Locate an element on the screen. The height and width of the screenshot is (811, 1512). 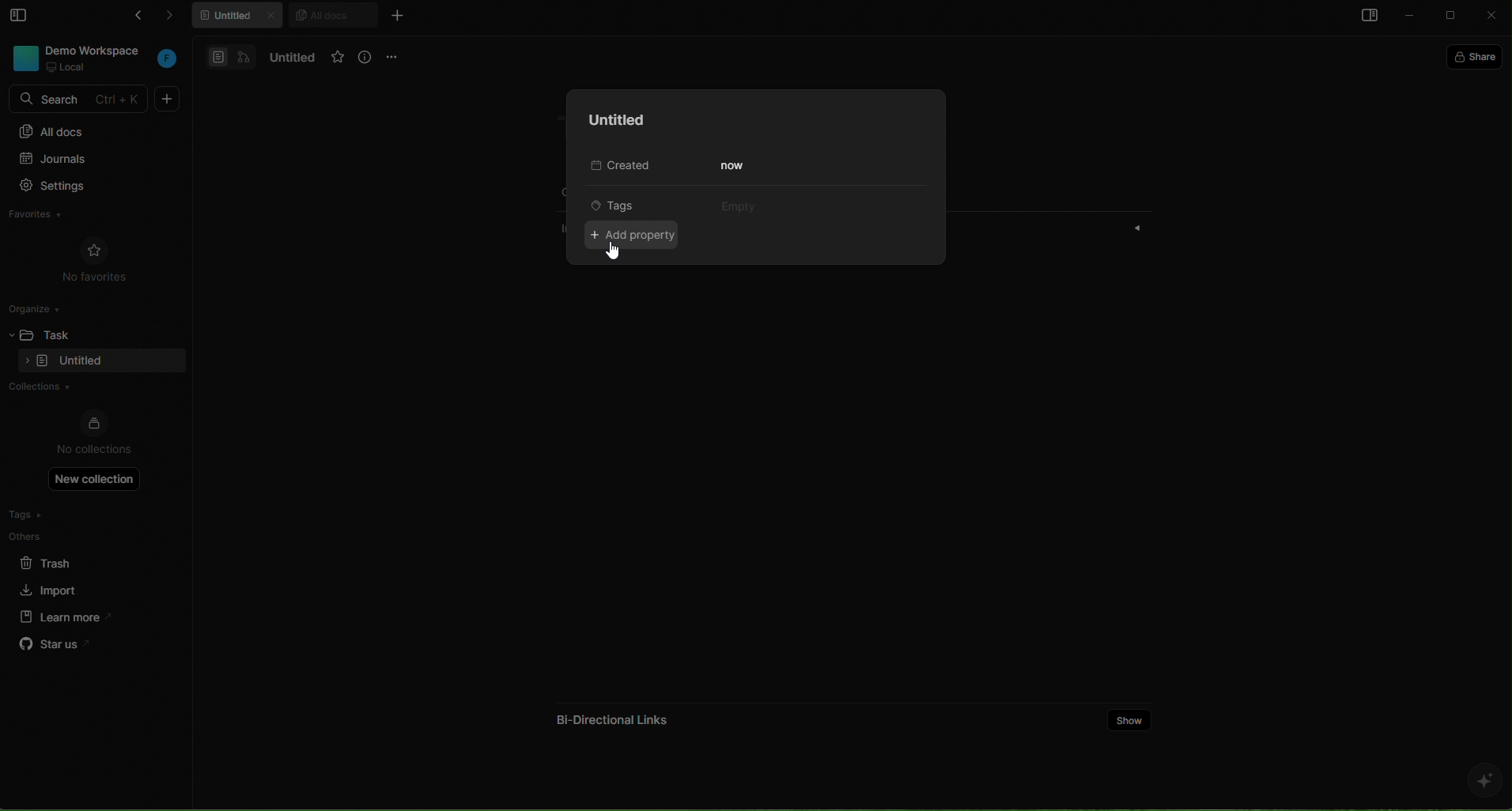
Created is located at coordinates (617, 167).